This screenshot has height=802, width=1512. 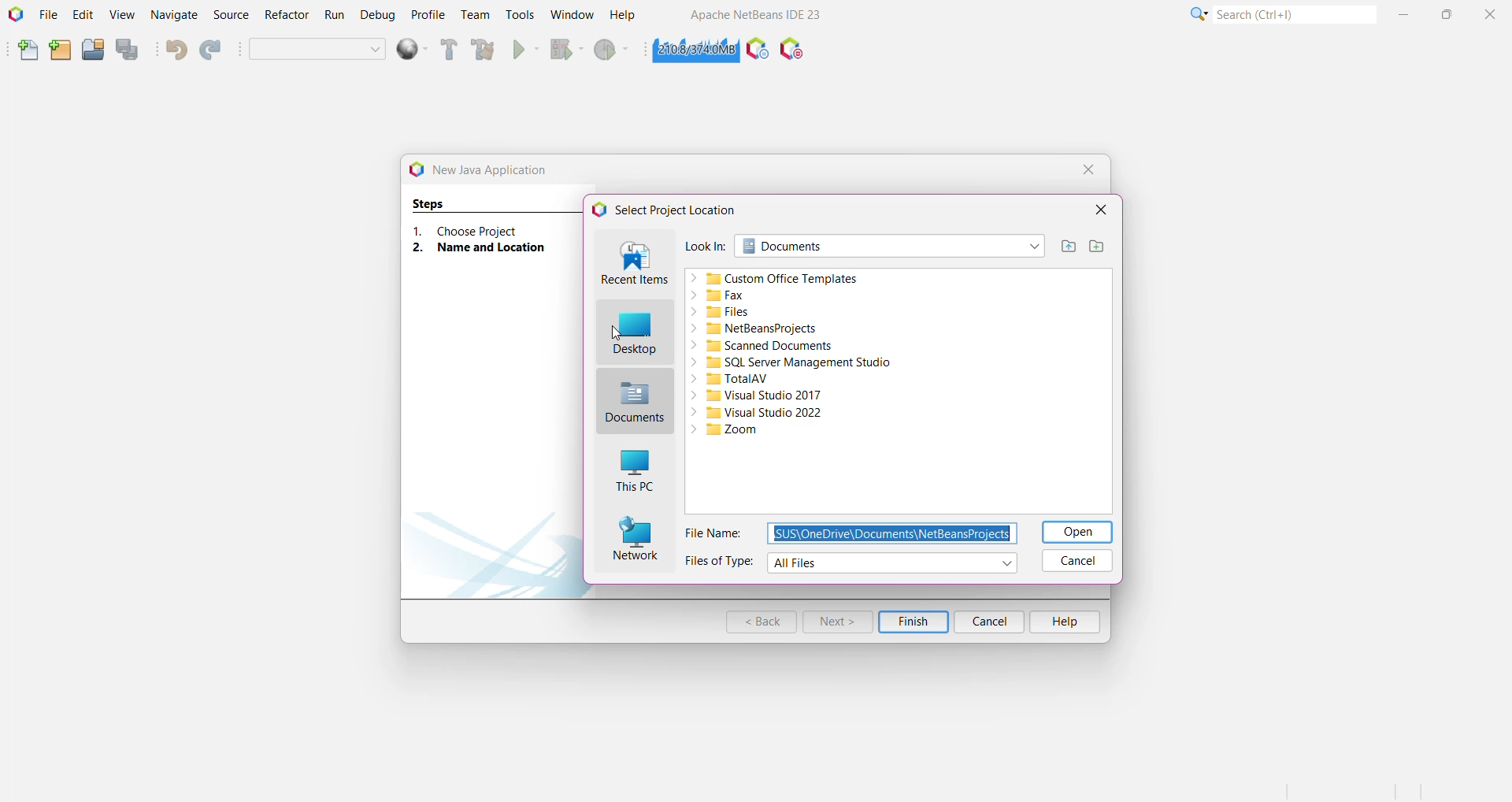 I want to click on Set Project Configuration, so click(x=317, y=49).